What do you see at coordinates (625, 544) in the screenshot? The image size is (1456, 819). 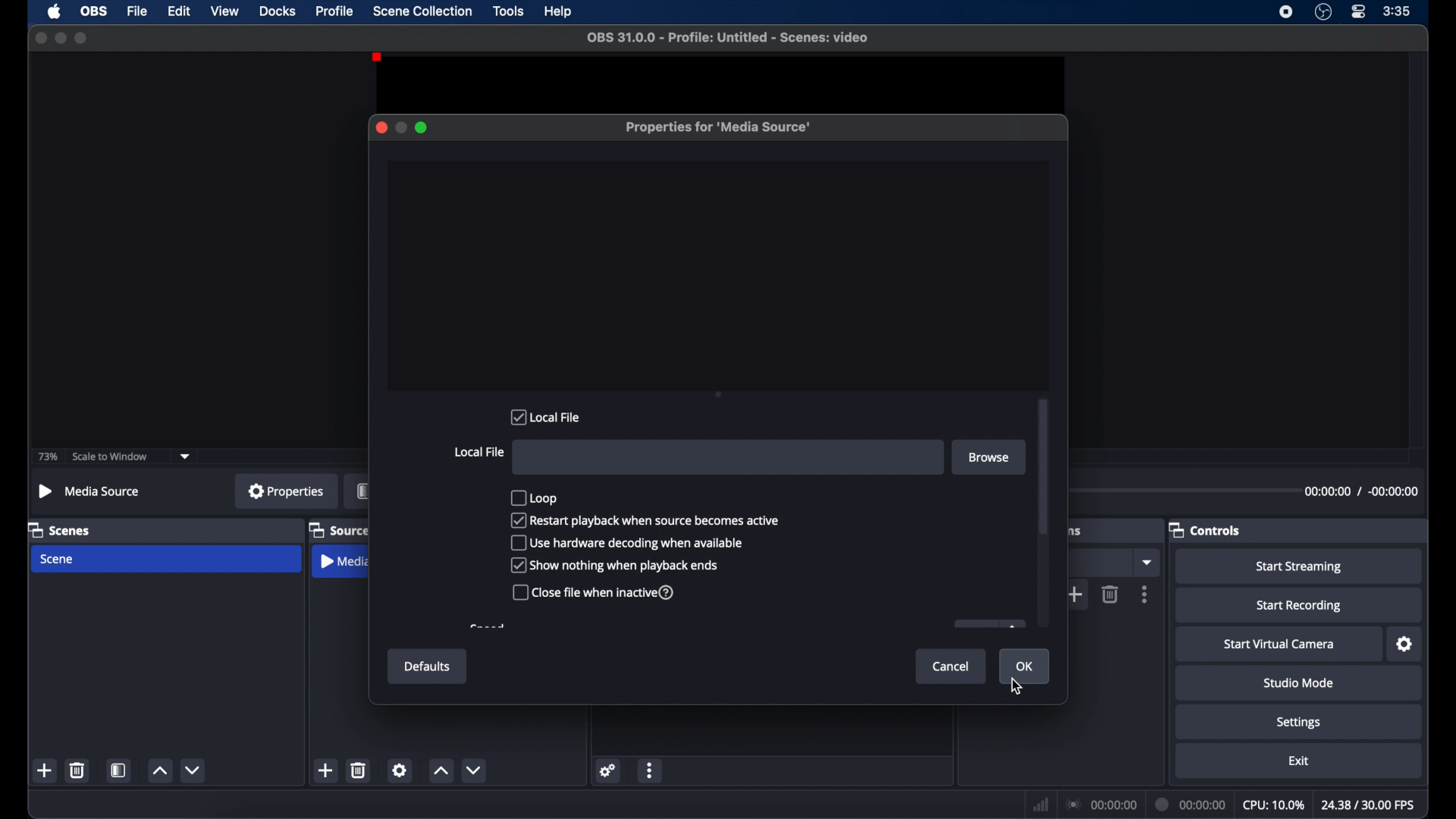 I see `checkbox` at bounding box center [625, 544].